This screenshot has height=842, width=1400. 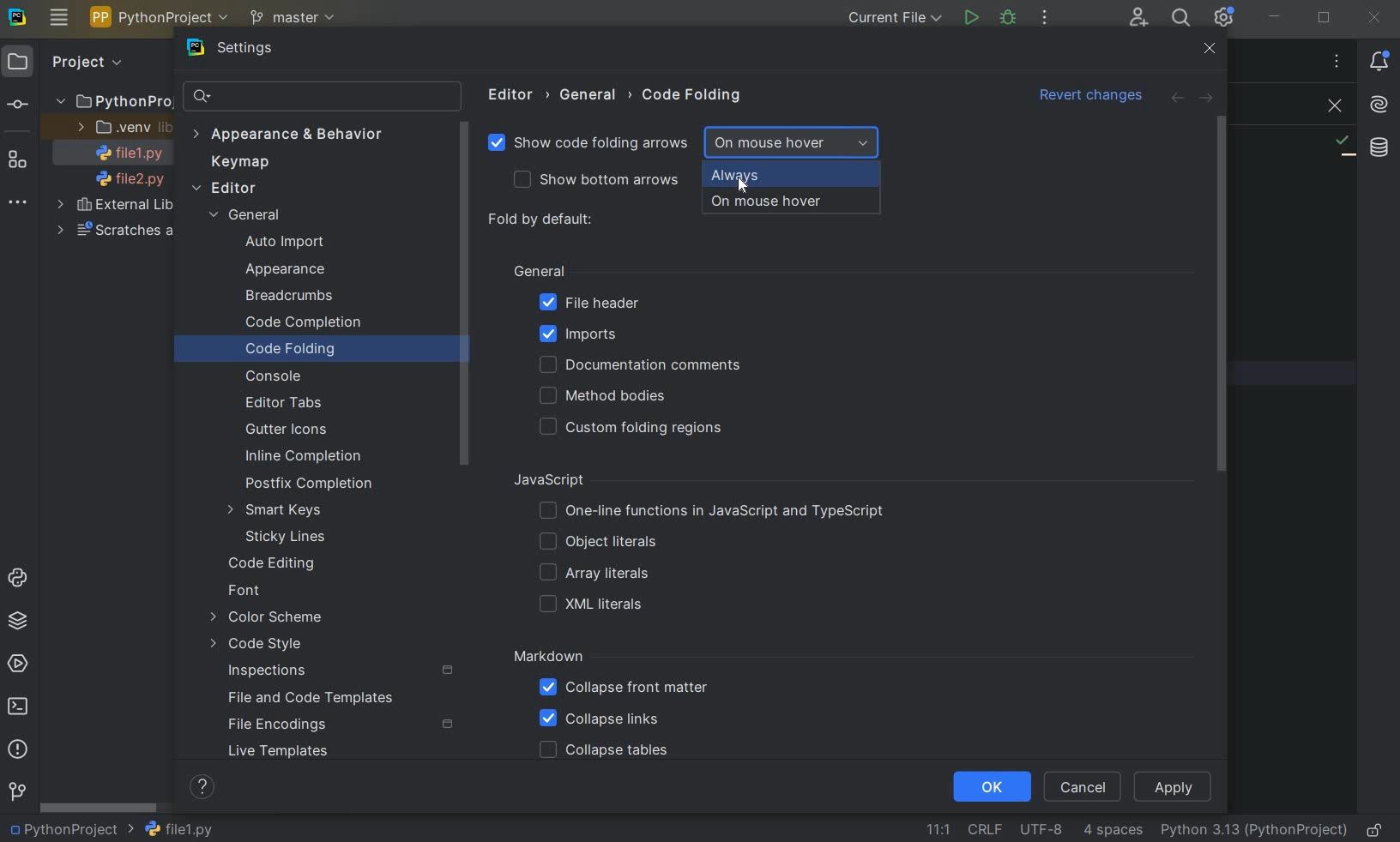 I want to click on STRUCTURE, so click(x=19, y=161).